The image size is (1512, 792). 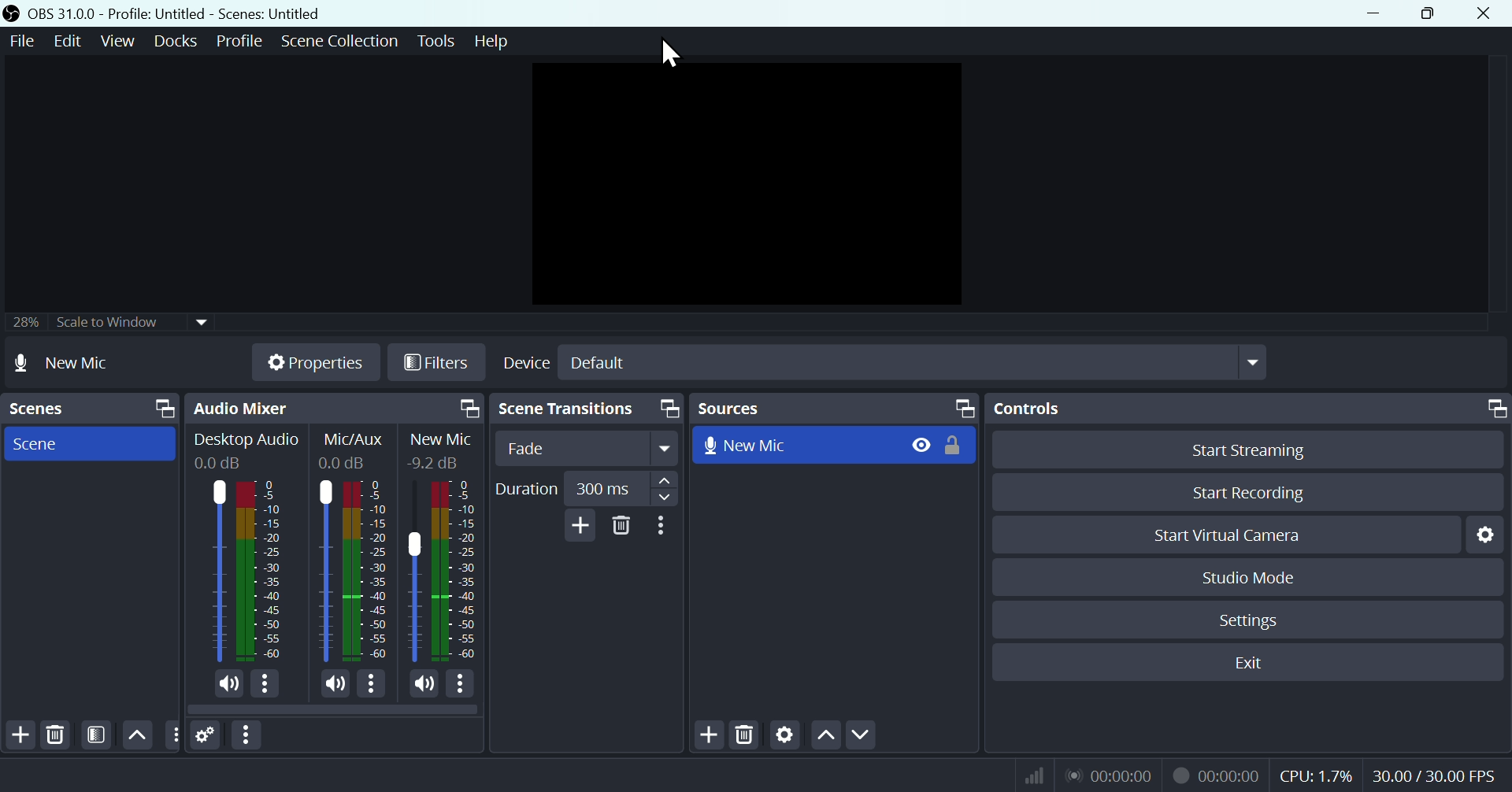 What do you see at coordinates (248, 735) in the screenshot?
I see `More options` at bounding box center [248, 735].